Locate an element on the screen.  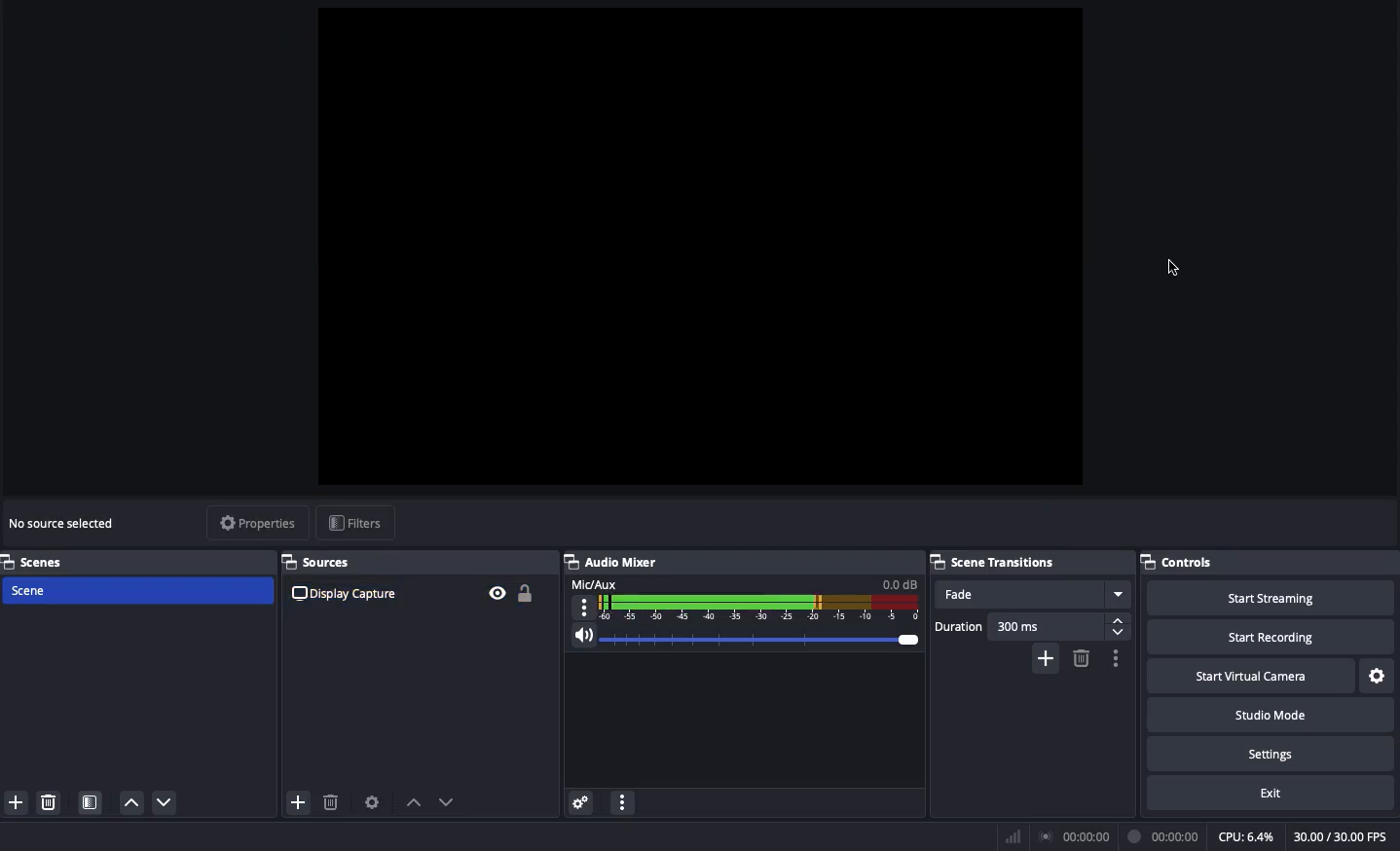
Controls is located at coordinates (1270, 562).